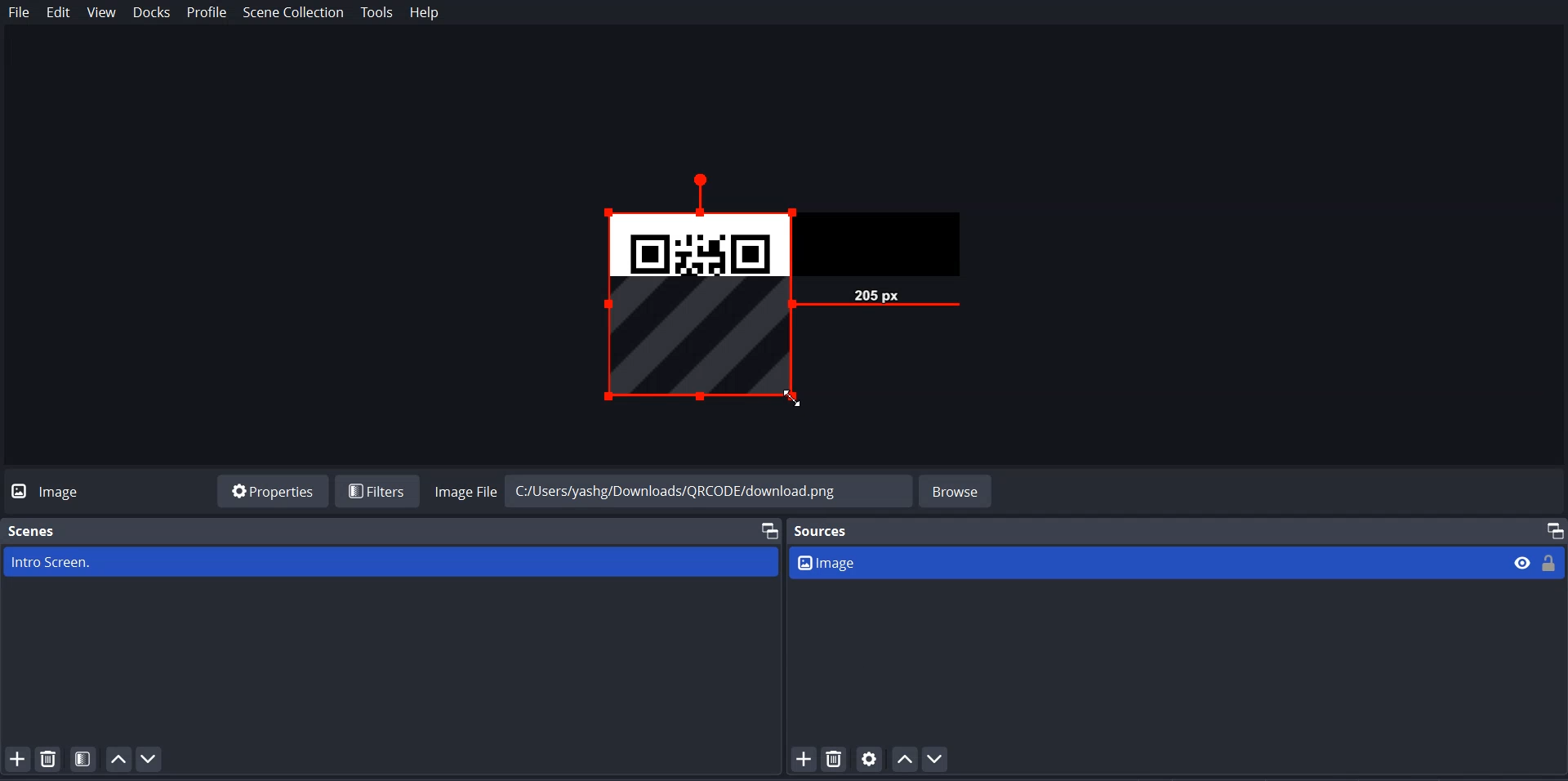  Describe the element at coordinates (826, 530) in the screenshot. I see `Source` at that location.